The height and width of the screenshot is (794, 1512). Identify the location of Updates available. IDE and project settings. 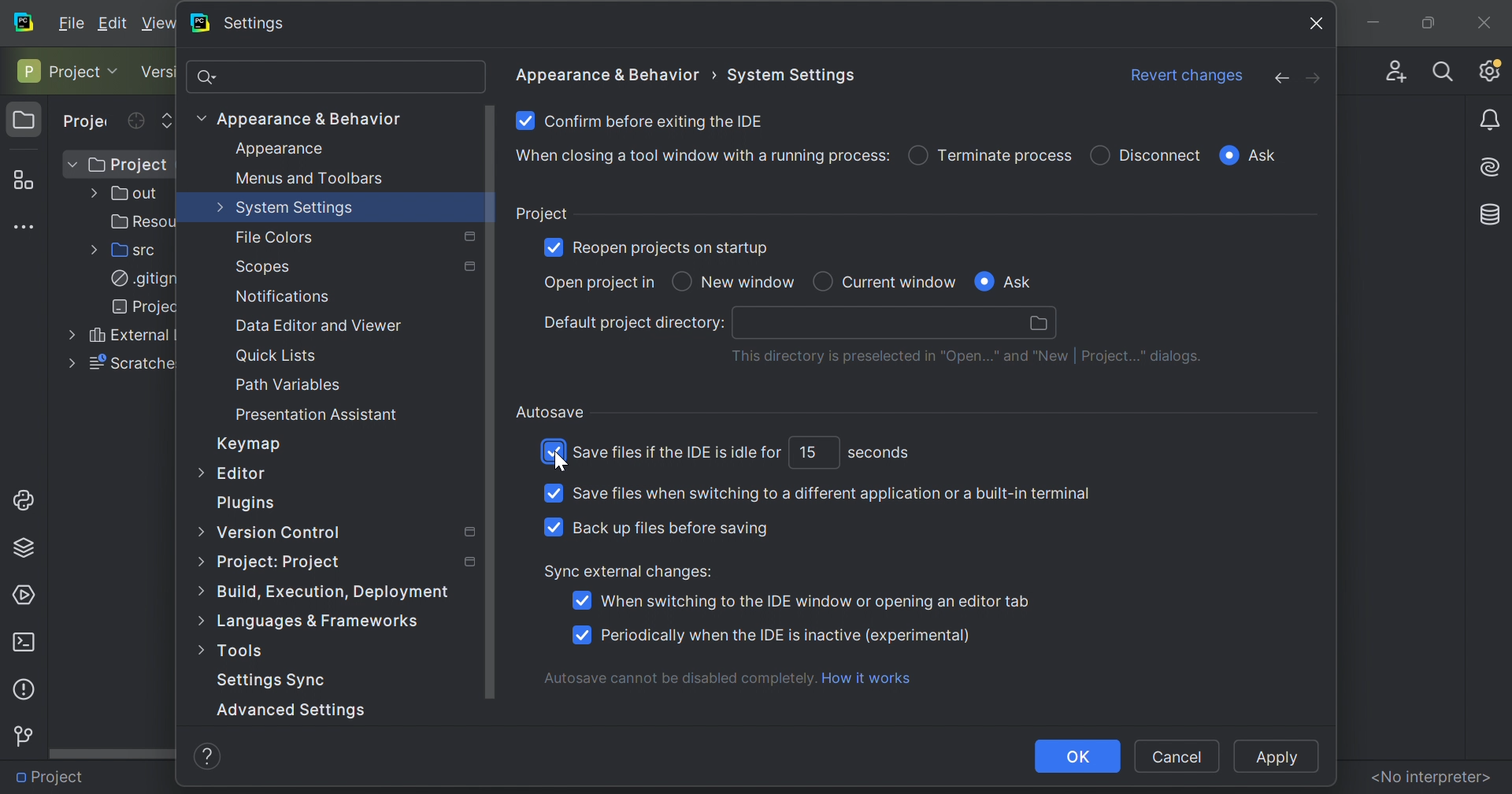
(1490, 70).